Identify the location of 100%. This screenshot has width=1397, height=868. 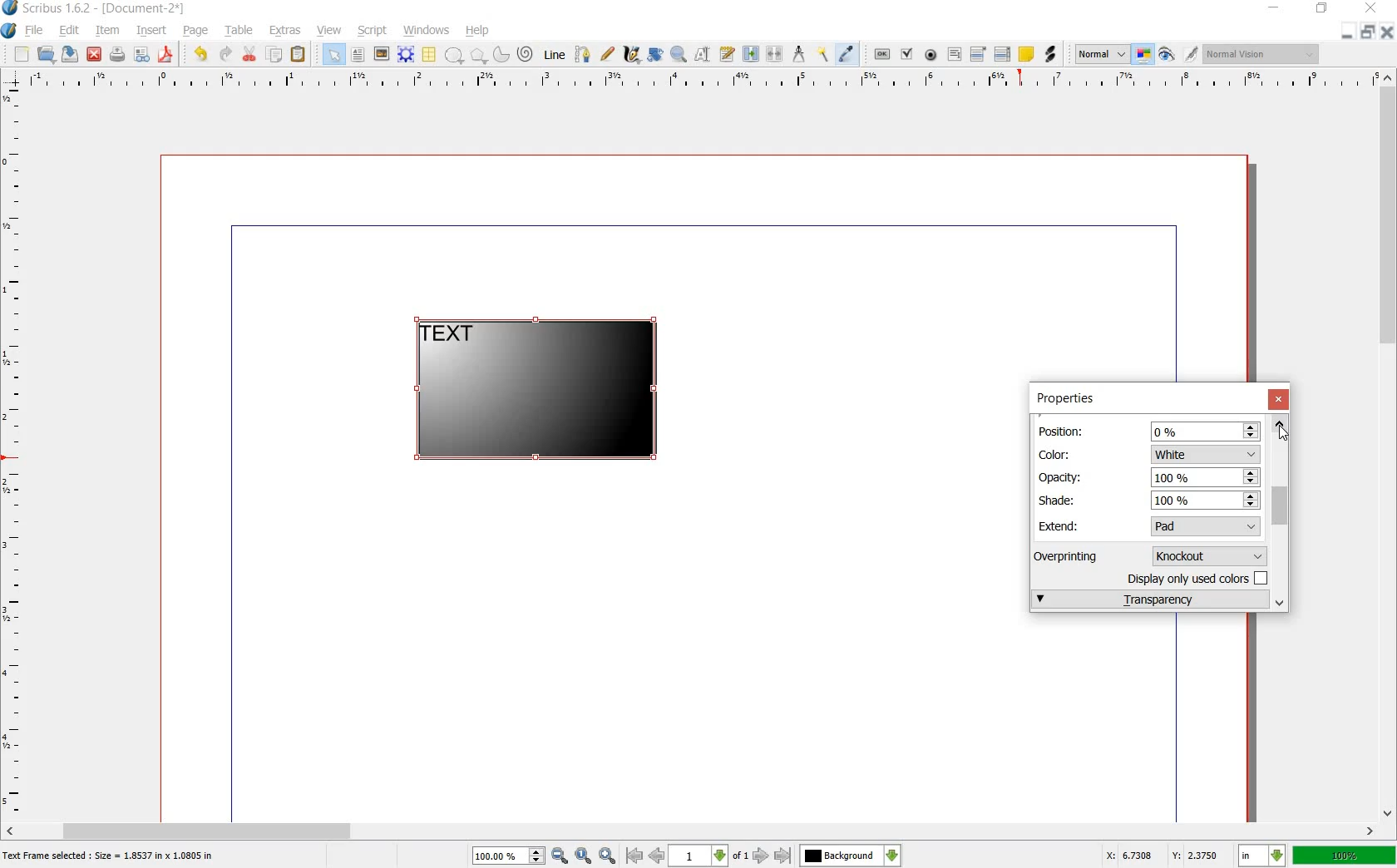
(1206, 501).